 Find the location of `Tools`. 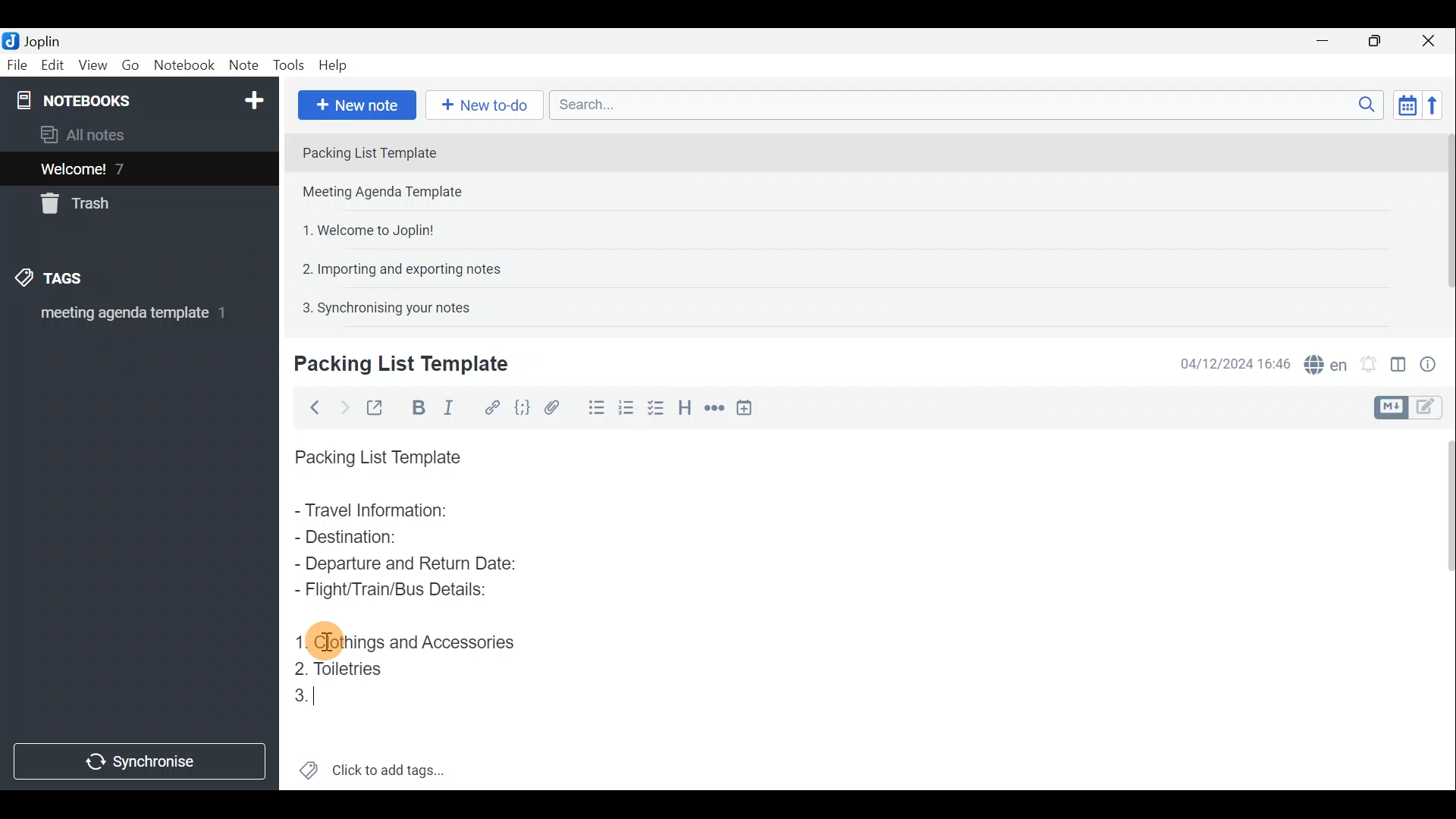

Tools is located at coordinates (290, 66).